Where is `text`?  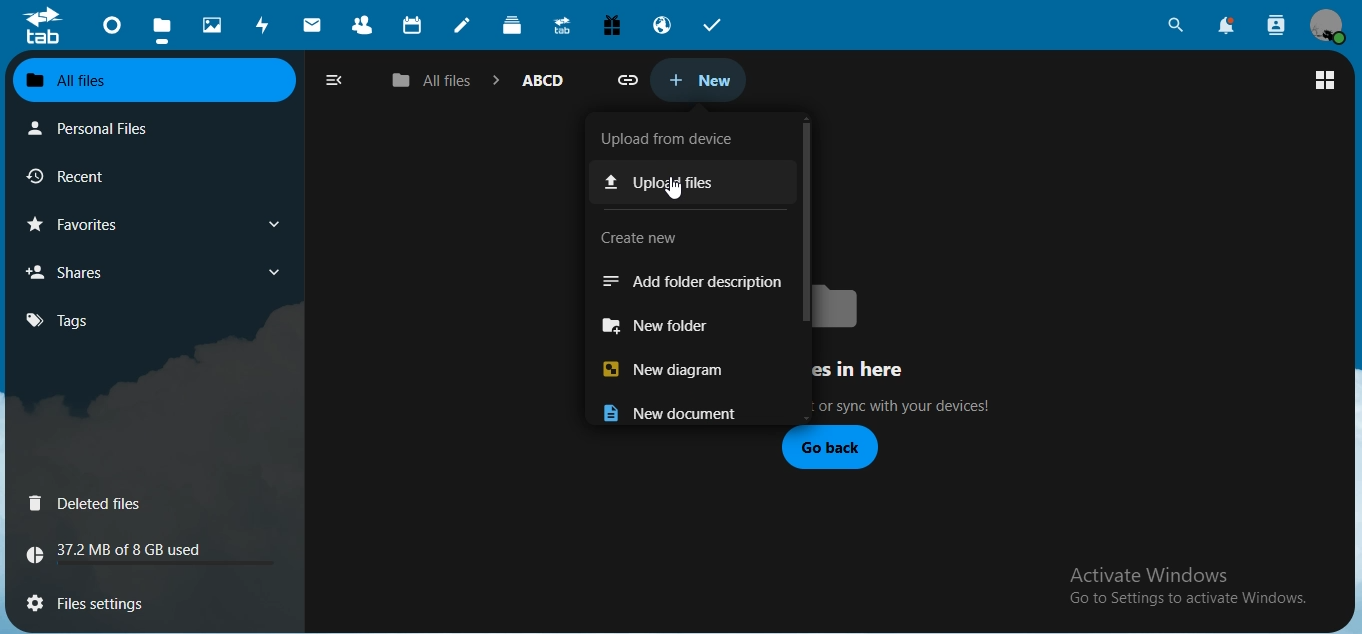 text is located at coordinates (125, 553).